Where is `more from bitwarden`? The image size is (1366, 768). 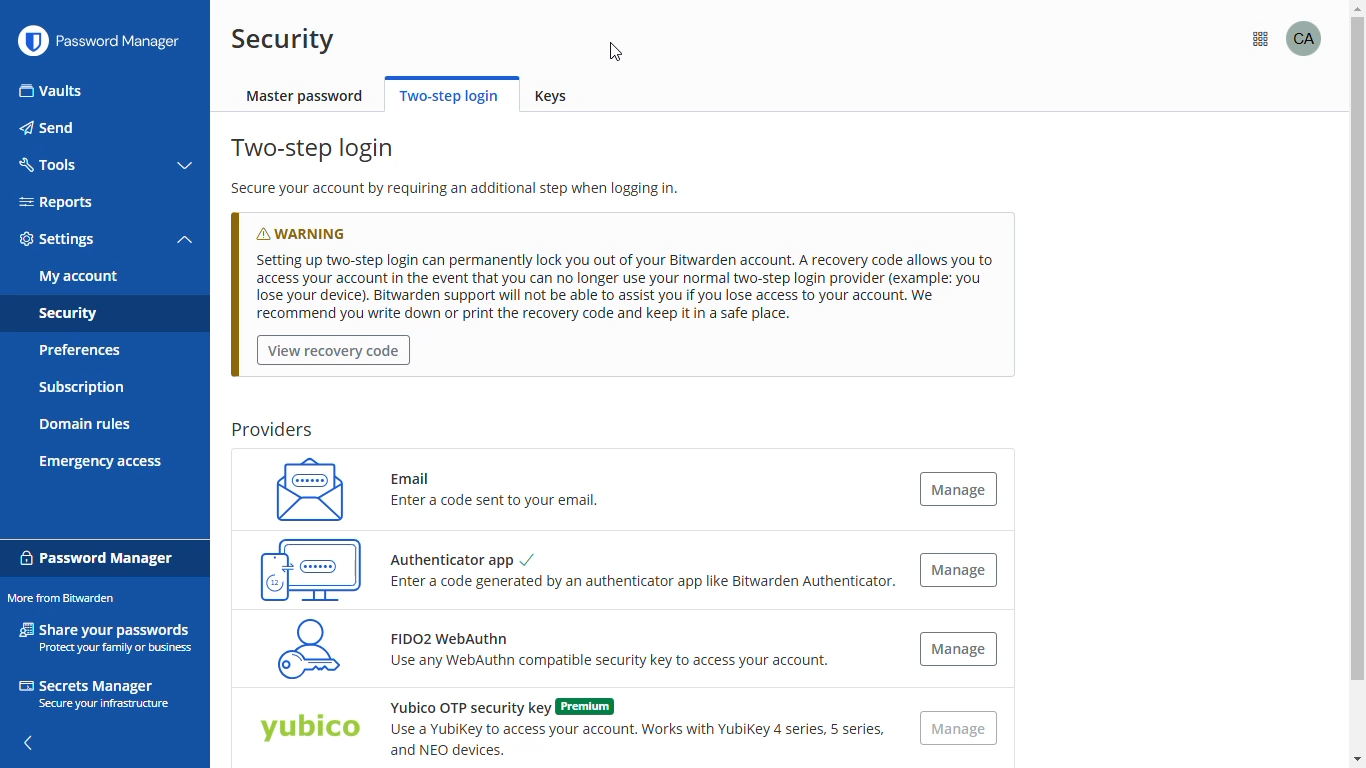
more from bitwarden is located at coordinates (60, 598).